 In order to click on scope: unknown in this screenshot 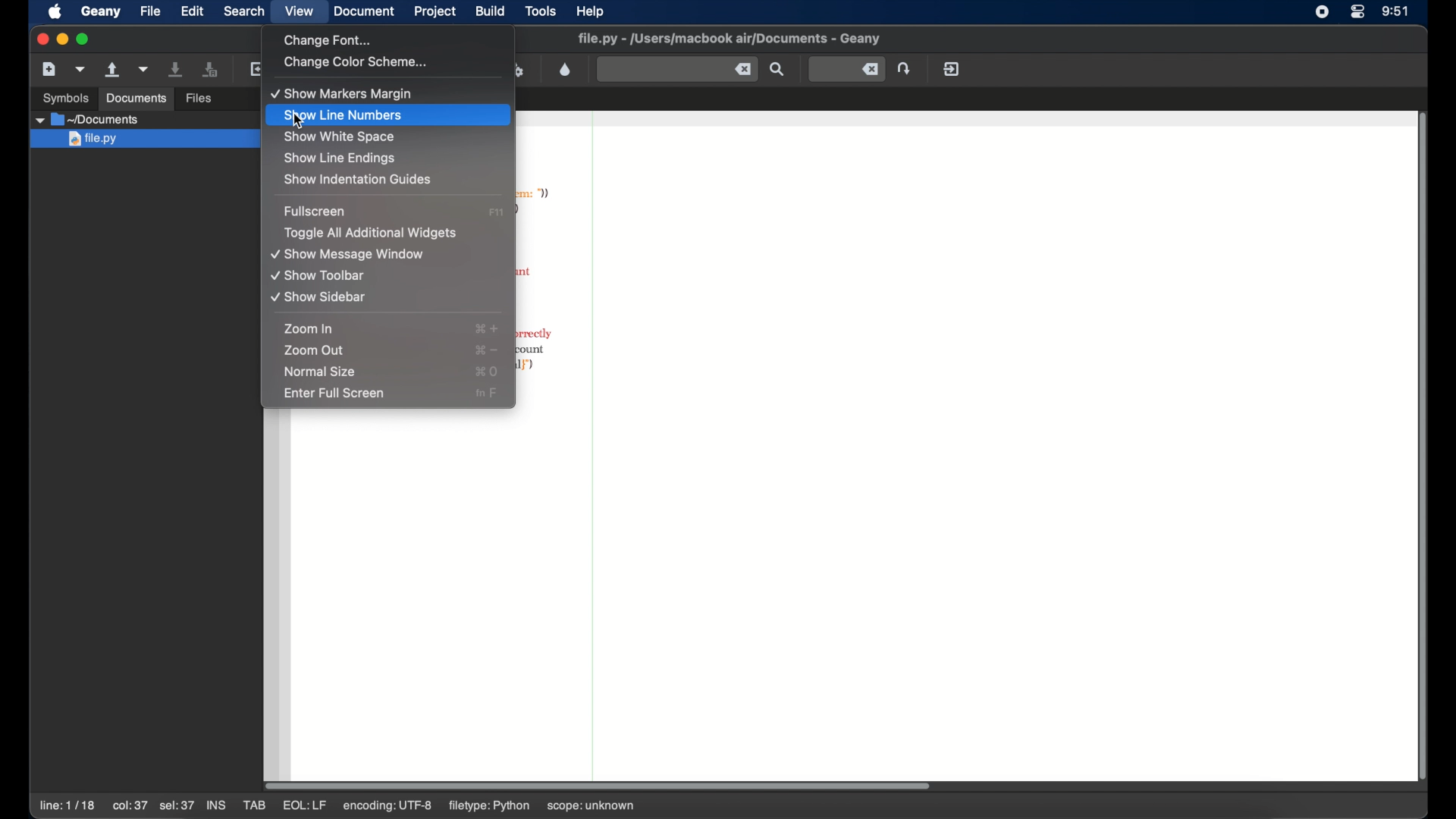, I will do `click(591, 807)`.